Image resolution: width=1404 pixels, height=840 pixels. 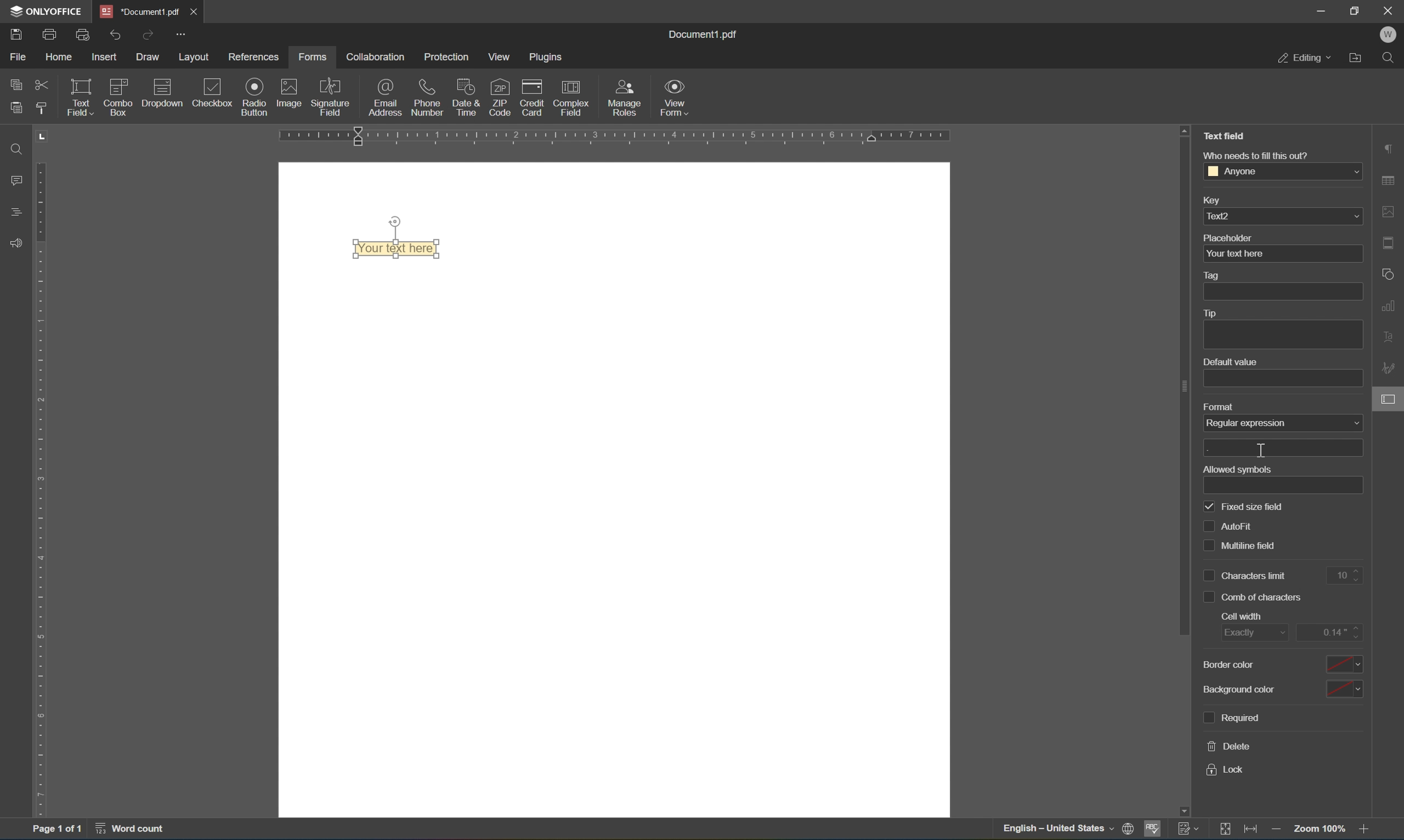 What do you see at coordinates (1238, 688) in the screenshot?
I see `background color` at bounding box center [1238, 688].